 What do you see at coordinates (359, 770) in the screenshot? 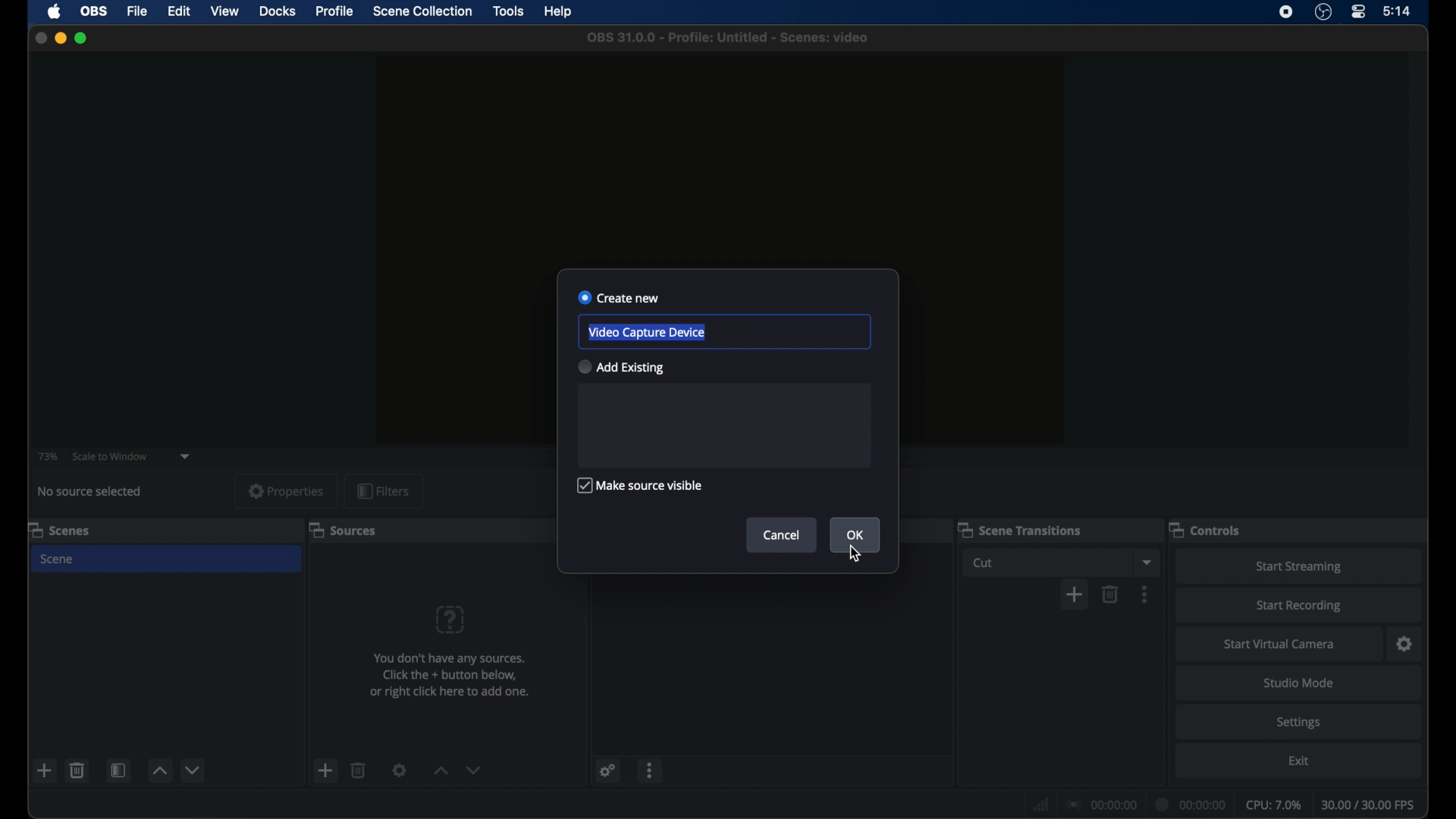
I see `delete` at bounding box center [359, 770].